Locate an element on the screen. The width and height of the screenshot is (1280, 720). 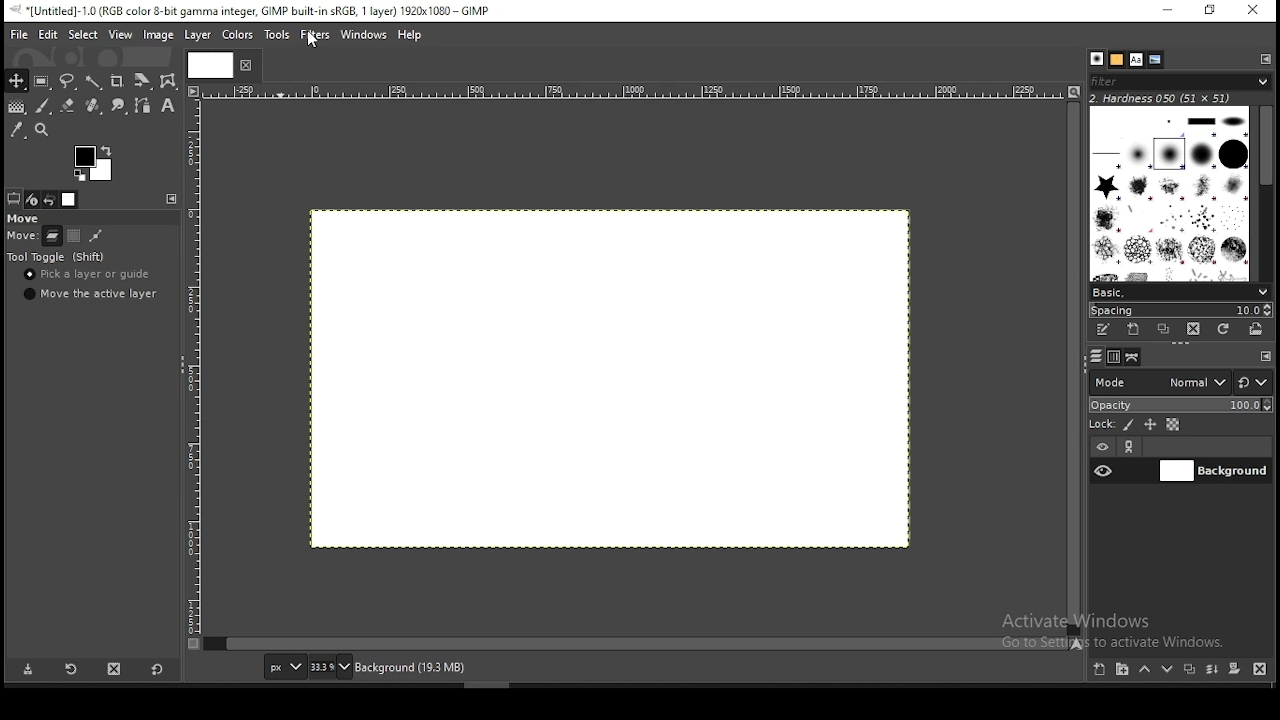
select is located at coordinates (80, 34).